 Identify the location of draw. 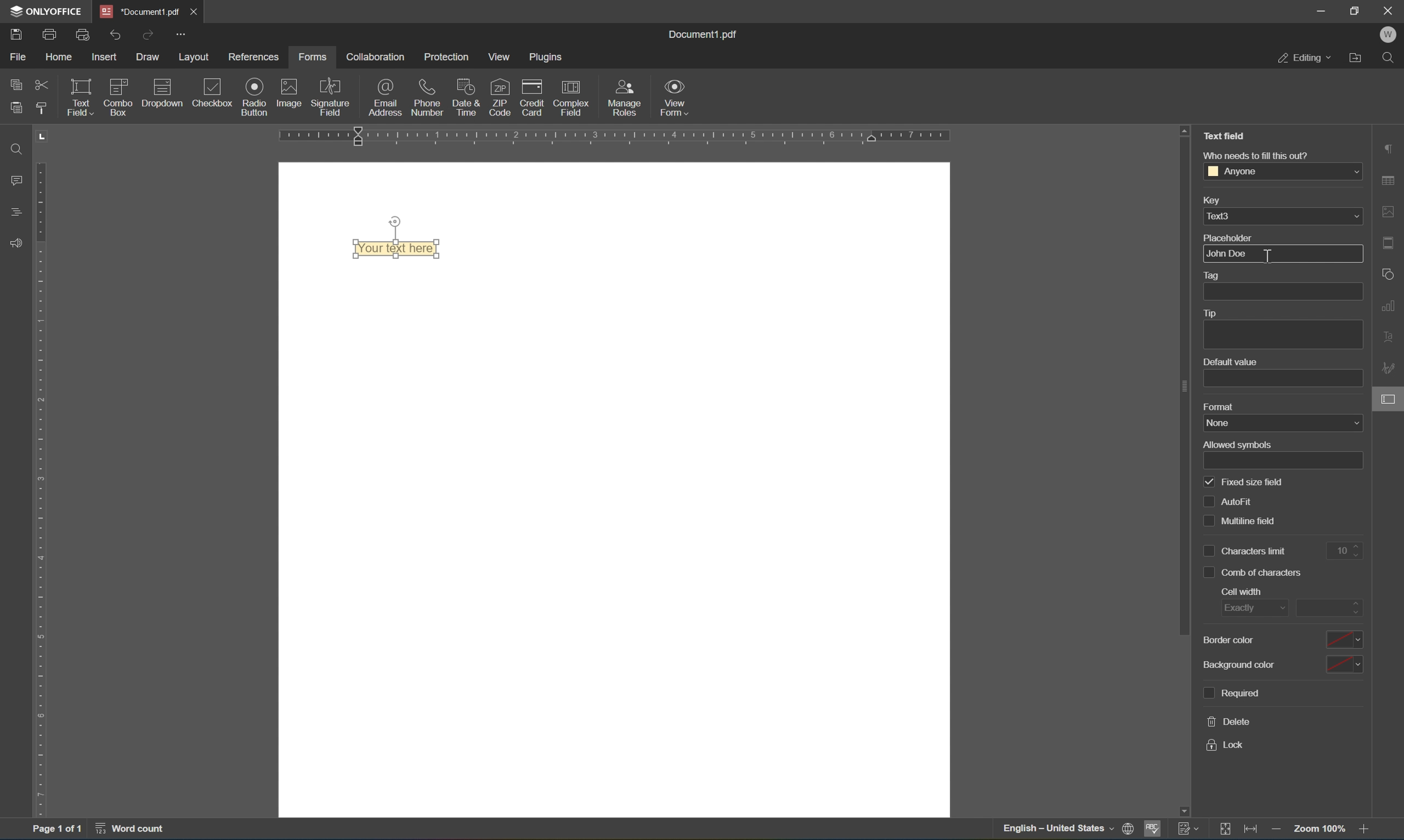
(150, 54).